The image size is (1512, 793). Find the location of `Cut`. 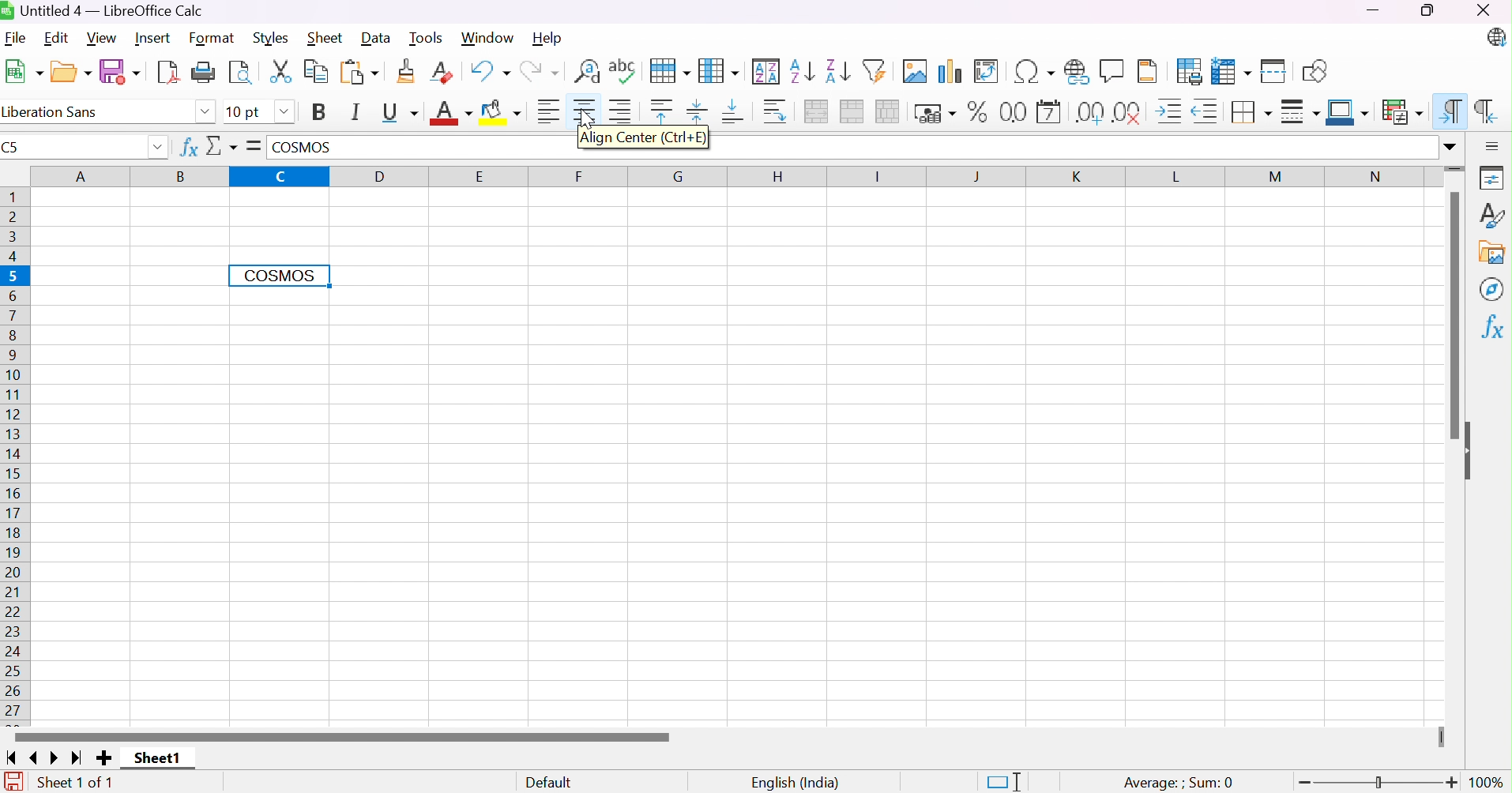

Cut is located at coordinates (281, 71).